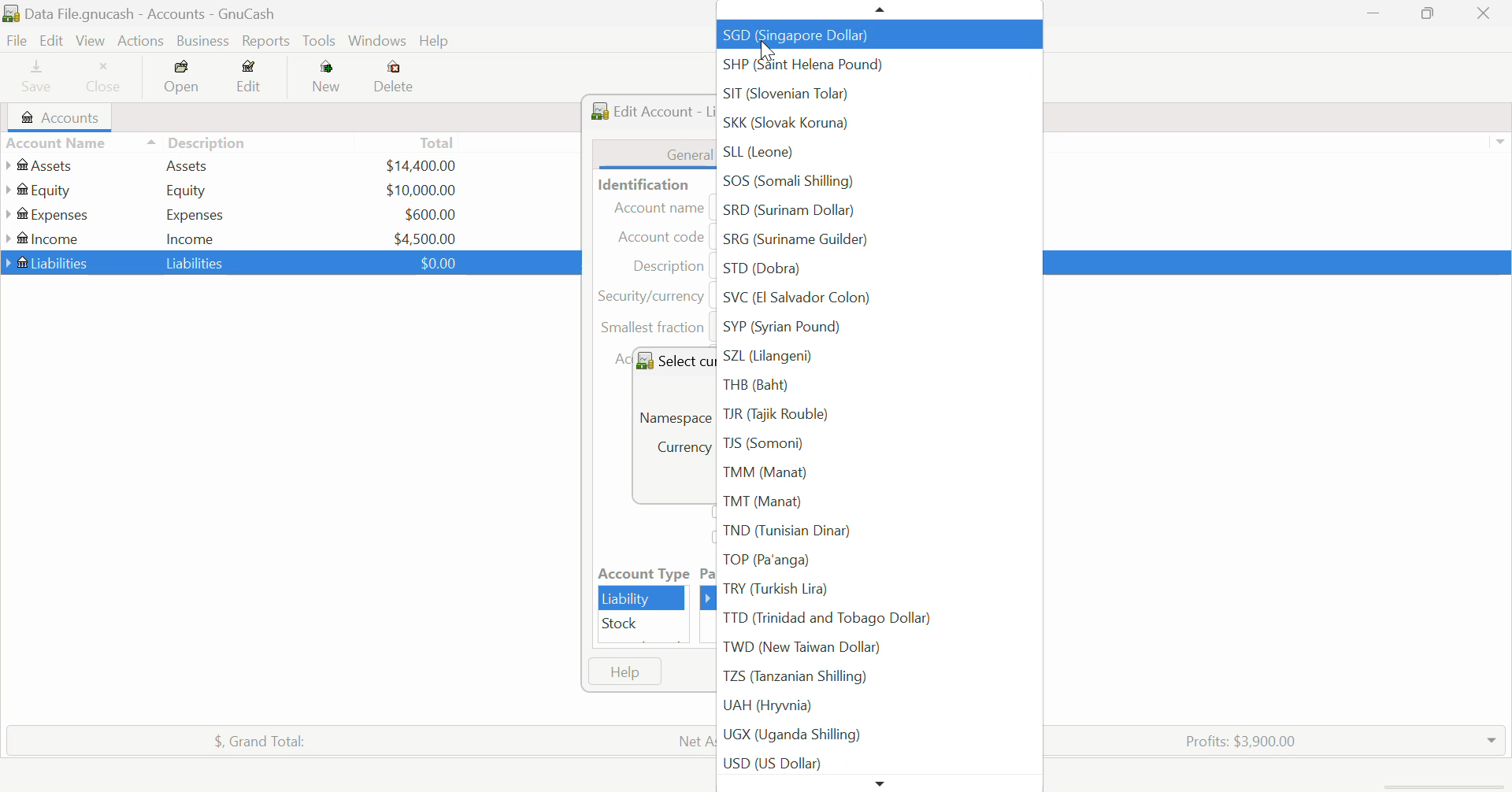  I want to click on SGD (Singapore Dollar), so click(877, 35).